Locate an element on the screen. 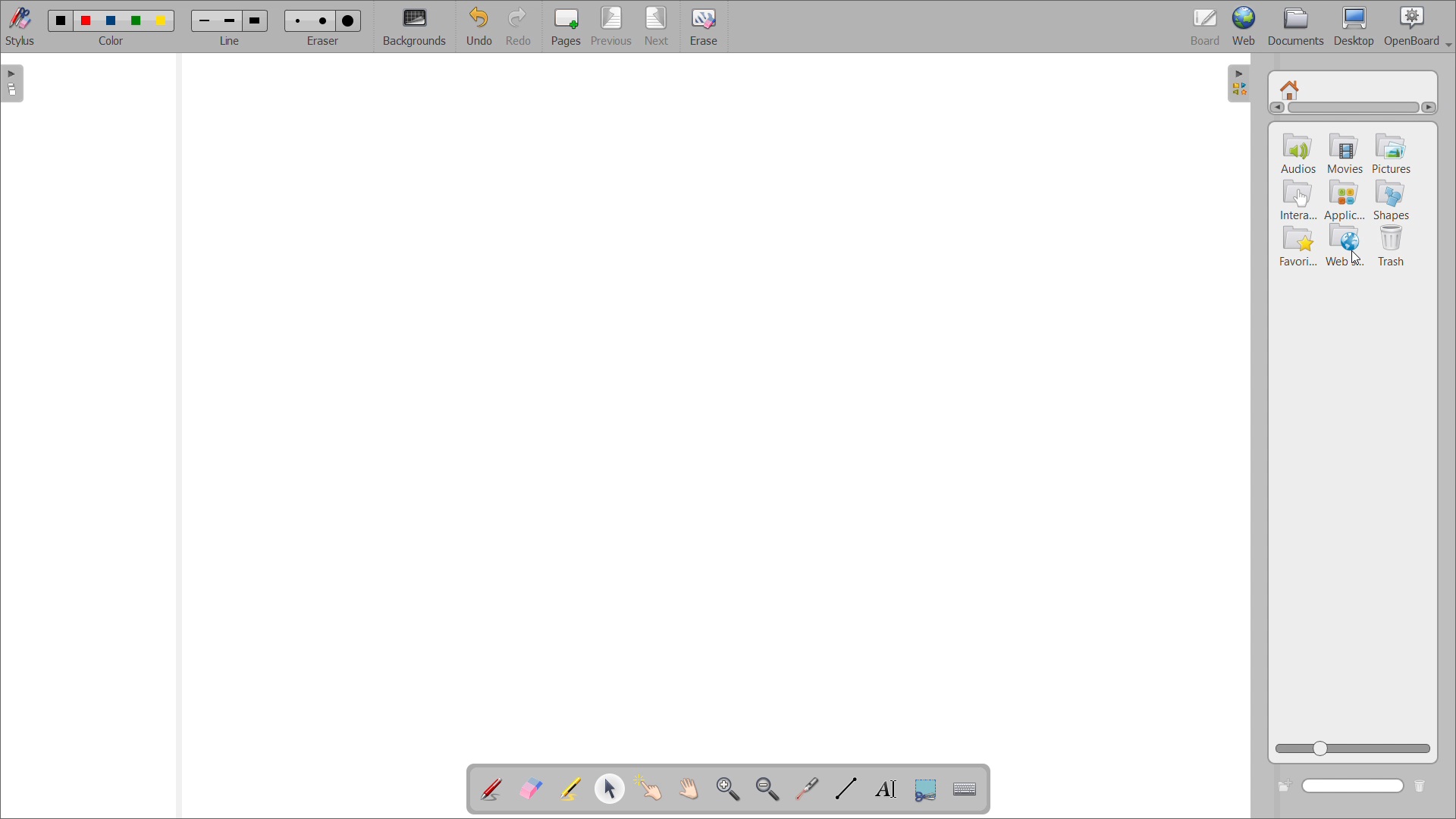  color is located at coordinates (112, 41).